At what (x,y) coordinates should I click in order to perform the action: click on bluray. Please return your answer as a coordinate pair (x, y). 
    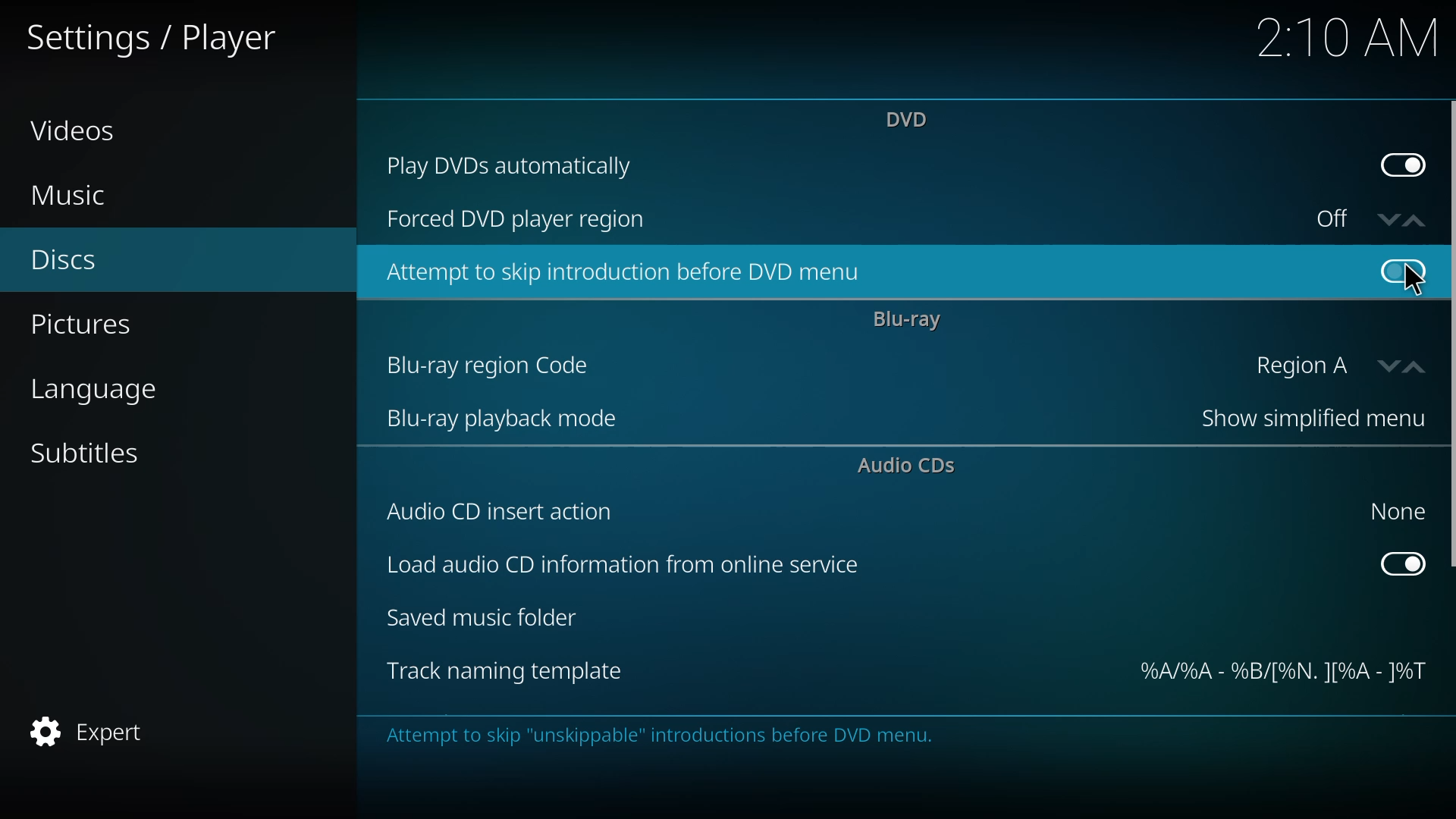
    Looking at the image, I should click on (911, 320).